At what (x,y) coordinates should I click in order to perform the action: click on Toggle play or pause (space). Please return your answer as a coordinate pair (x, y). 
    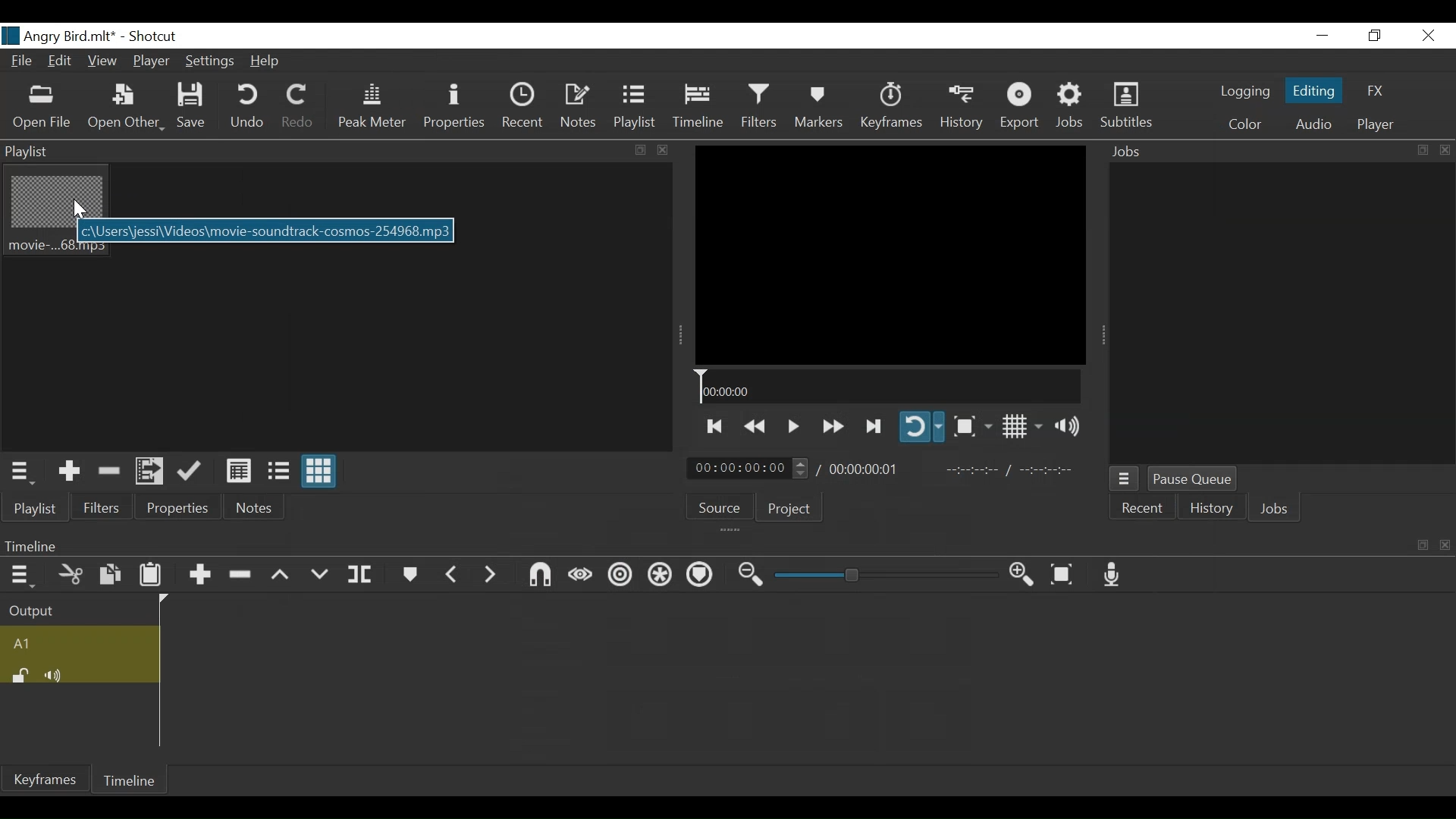
    Looking at the image, I should click on (792, 423).